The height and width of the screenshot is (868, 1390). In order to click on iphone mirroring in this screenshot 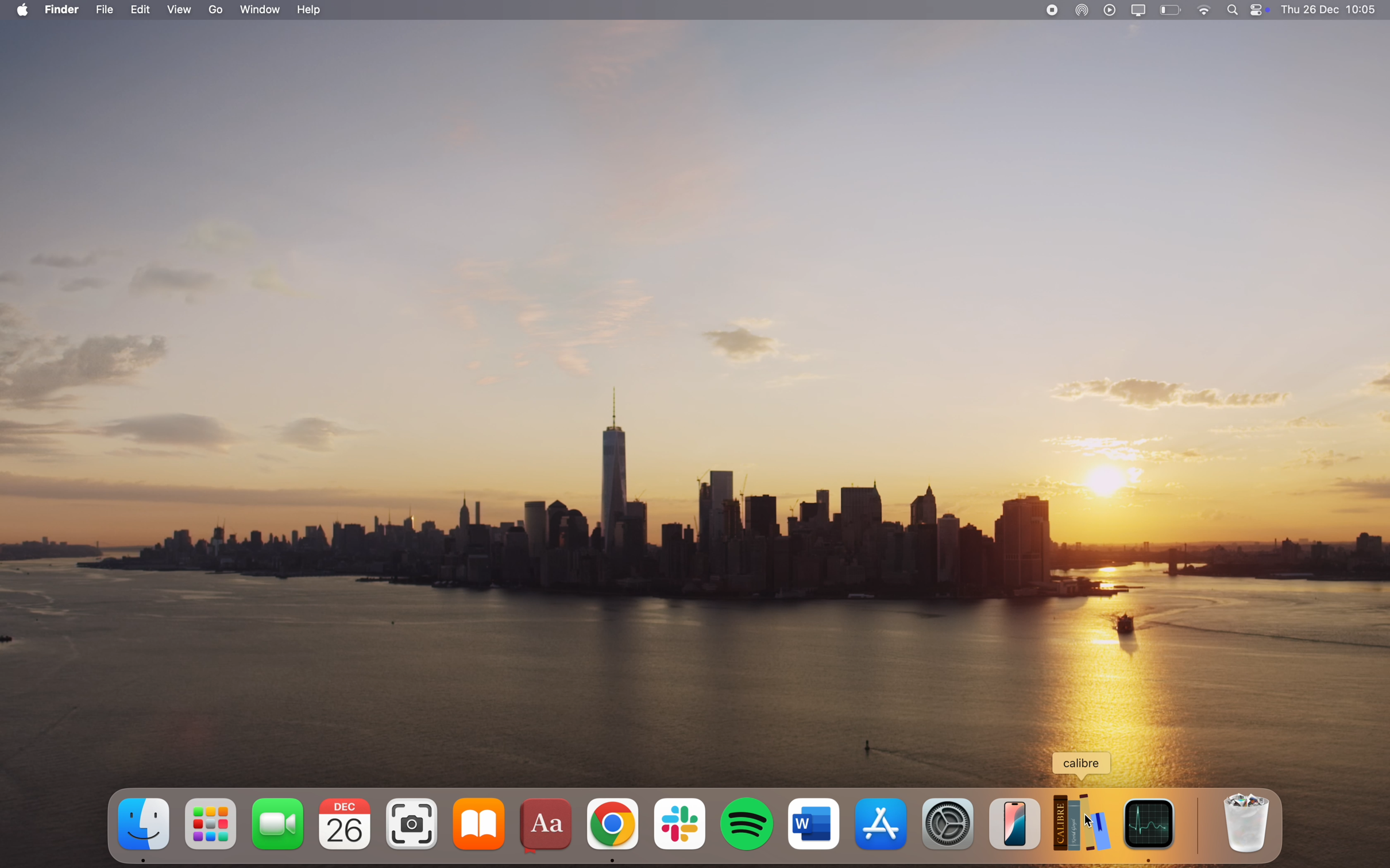, I will do `click(1014, 823)`.